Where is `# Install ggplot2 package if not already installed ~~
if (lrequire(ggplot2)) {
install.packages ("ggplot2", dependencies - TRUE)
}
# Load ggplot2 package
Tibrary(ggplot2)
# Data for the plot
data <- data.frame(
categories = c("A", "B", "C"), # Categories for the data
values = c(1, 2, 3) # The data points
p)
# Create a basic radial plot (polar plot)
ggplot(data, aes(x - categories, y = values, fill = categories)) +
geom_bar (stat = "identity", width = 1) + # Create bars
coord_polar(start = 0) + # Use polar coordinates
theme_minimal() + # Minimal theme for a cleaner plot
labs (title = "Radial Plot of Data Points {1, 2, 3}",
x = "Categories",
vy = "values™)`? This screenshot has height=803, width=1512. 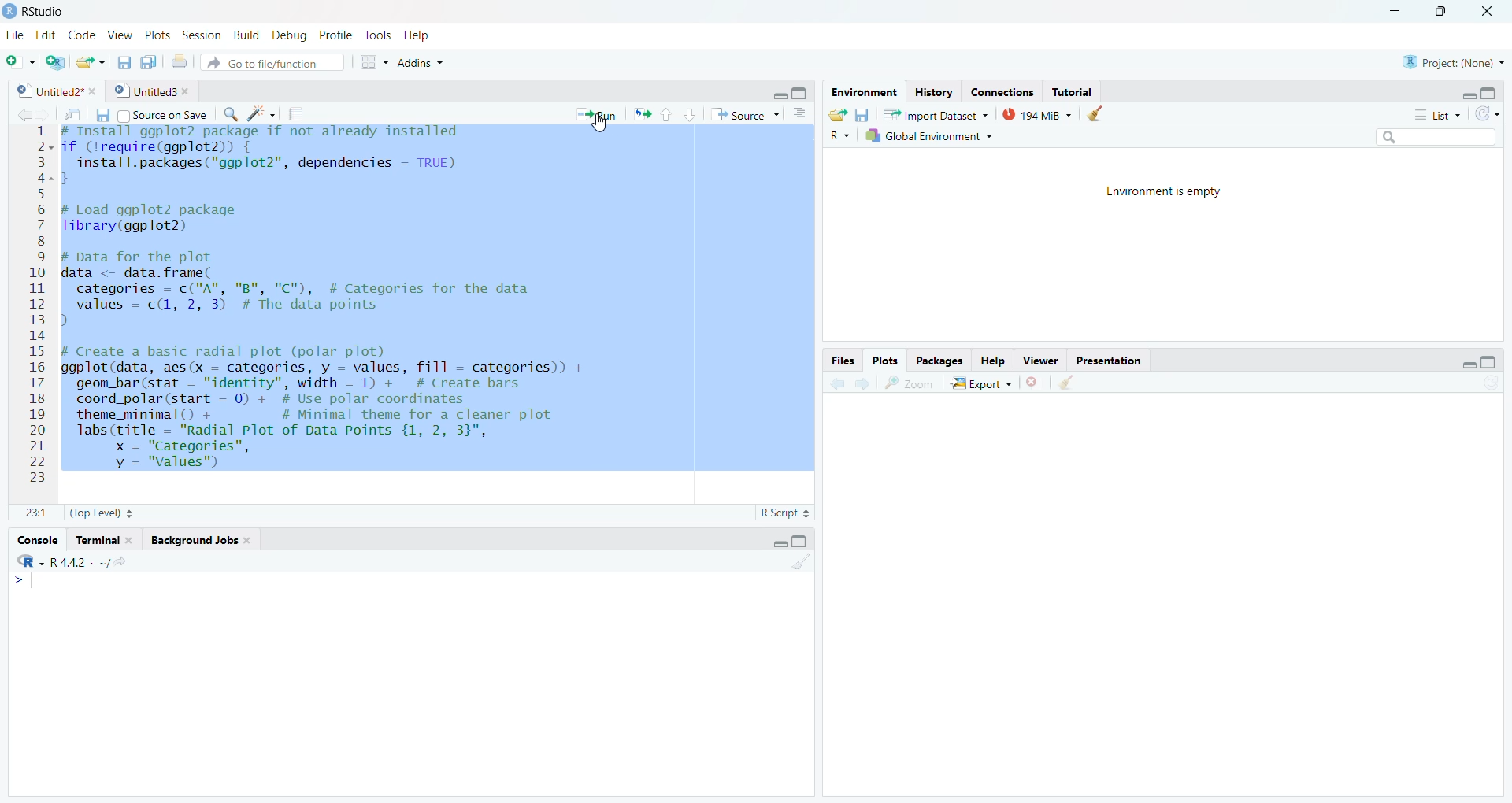
# Install ggplot2 package if not already installed ~~
if (lrequire(ggplot2)) {
install.packages ("ggplot2", dependencies - TRUE)
}
# Load ggplot2 package
Tibrary(ggplot2)
# Data for the plot
data <- data.frame(
categories = c("A", "B", "C"), # Categories for the data
values = c(1, 2, 3) # The data points
p)
# Create a basic radial plot (polar plot)
ggplot(data, aes(x - categories, y = values, fill = categories)) +
geom_bar (stat = "identity", width = 1) + # Create bars
coord_polar(start = 0) + # Use polar coordinates
theme_minimal() + # Minimal theme for a cleaner plot
labs (title = "Radial Plot of Data Points {1, 2, 3}",
x = "Categories",
vy = "values™) is located at coordinates (424, 298).